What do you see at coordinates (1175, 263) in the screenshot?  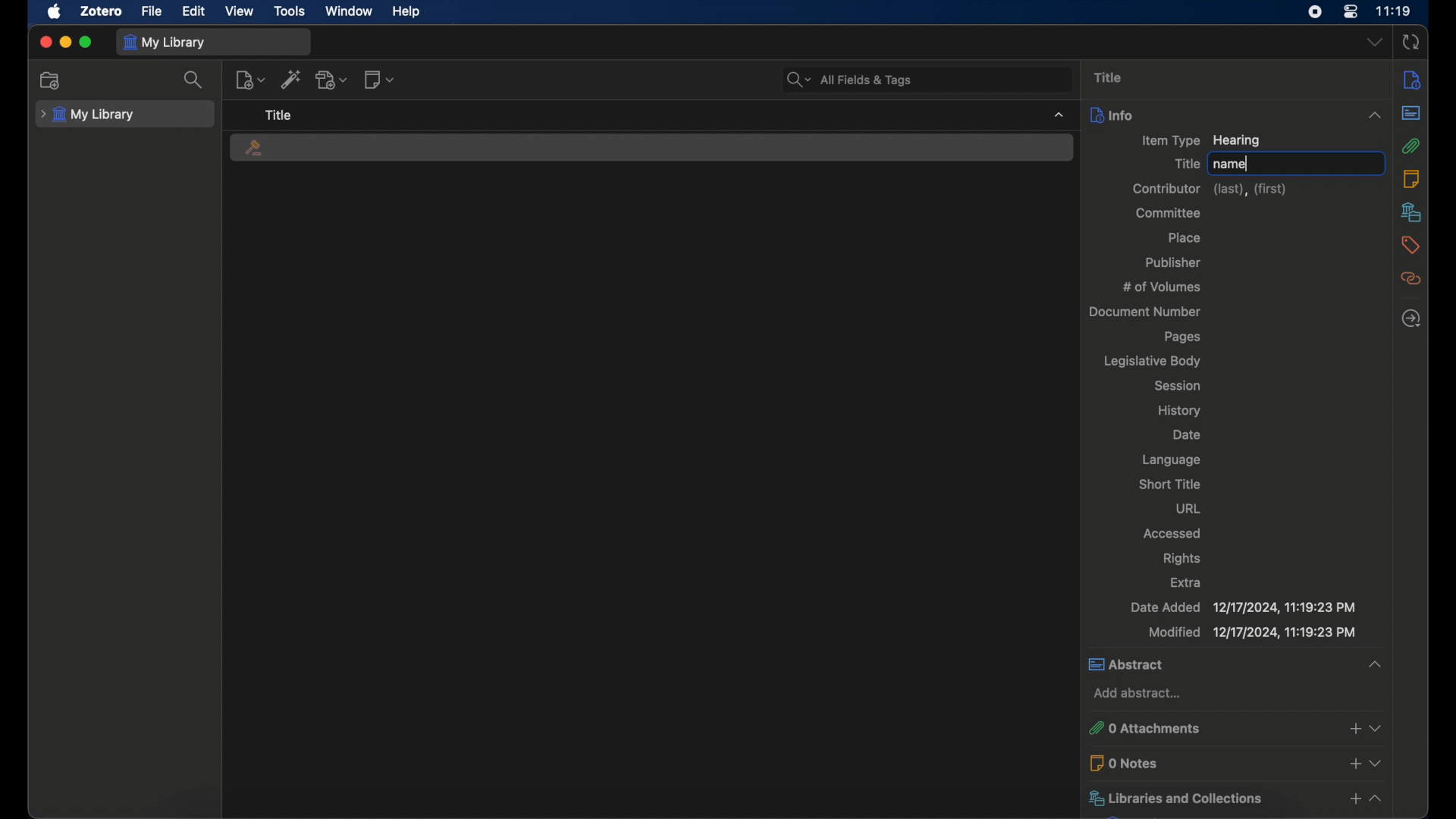 I see `publisher` at bounding box center [1175, 263].